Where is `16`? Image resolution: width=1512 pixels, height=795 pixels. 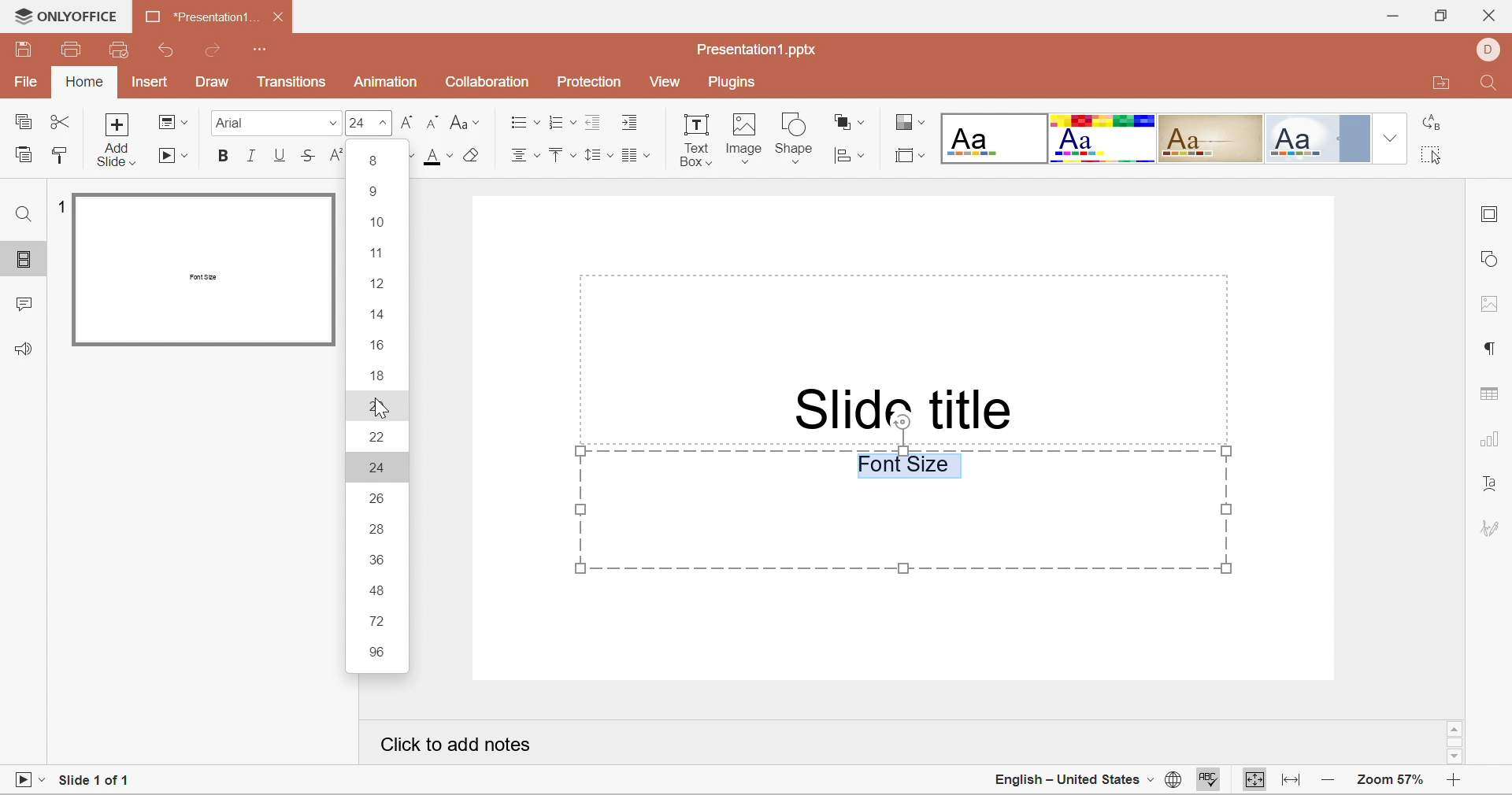
16 is located at coordinates (382, 346).